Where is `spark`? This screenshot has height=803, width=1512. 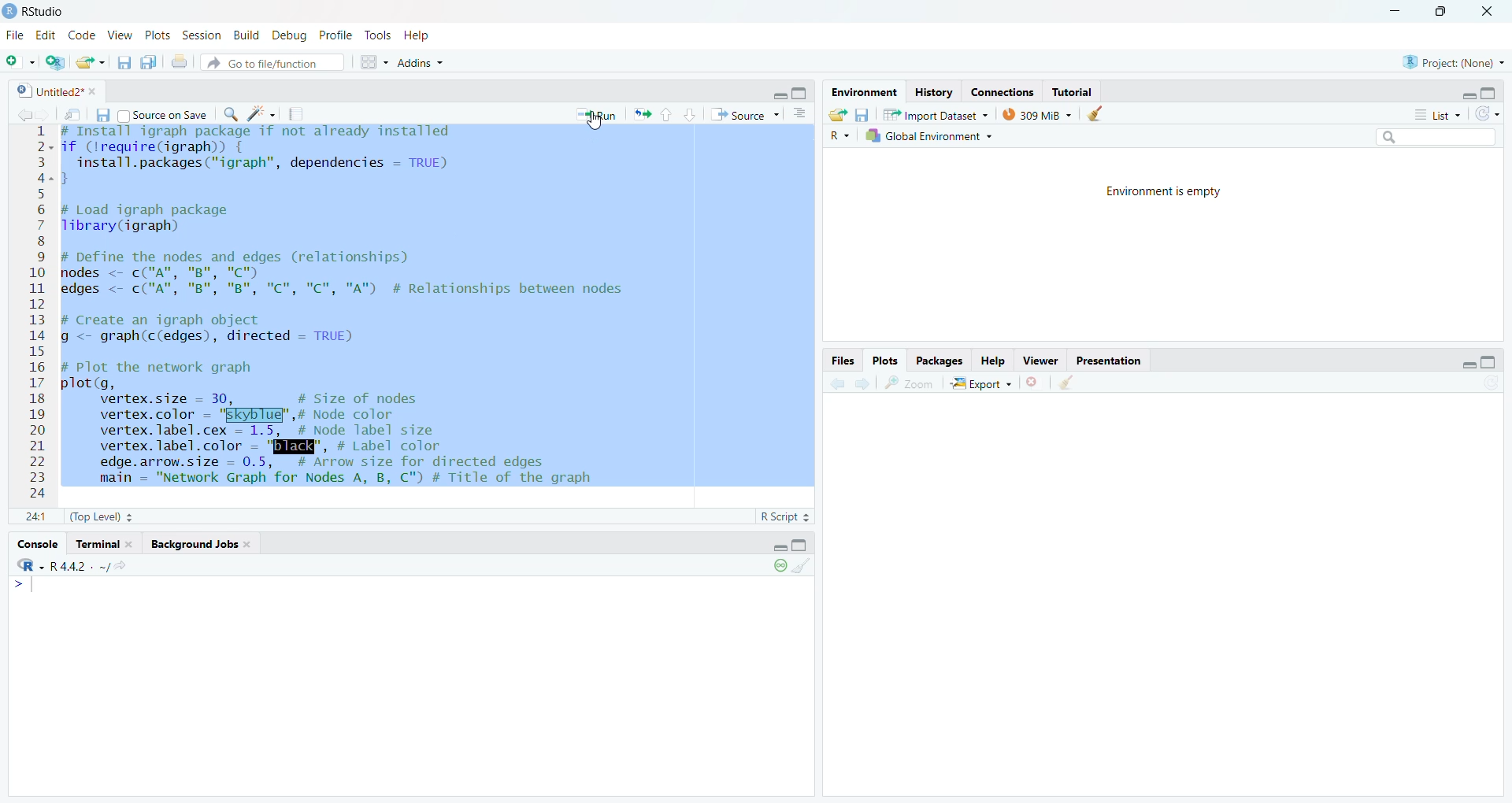
spark is located at coordinates (264, 114).